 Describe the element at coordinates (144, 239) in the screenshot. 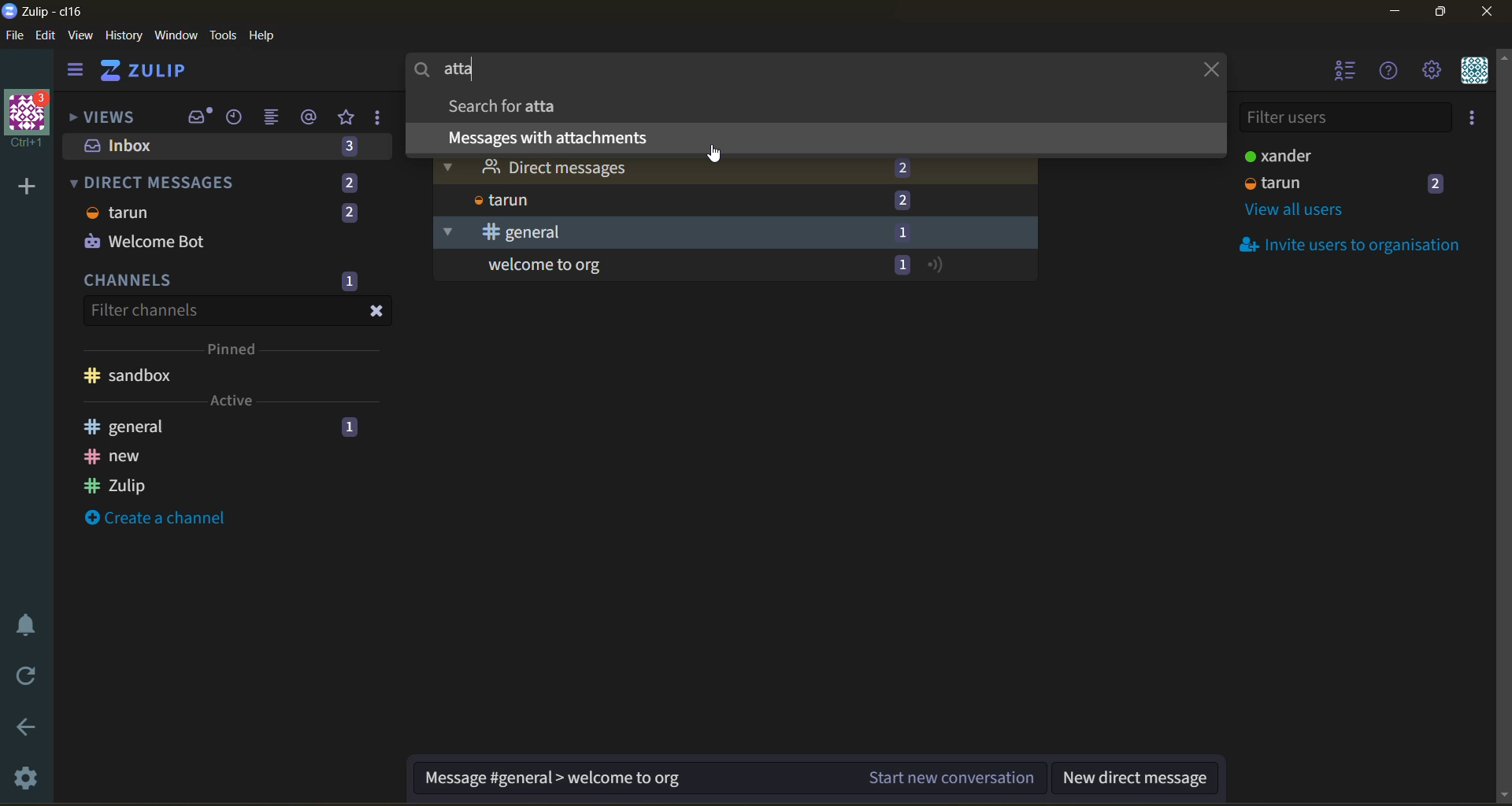

I see `Welcome Bot` at that location.